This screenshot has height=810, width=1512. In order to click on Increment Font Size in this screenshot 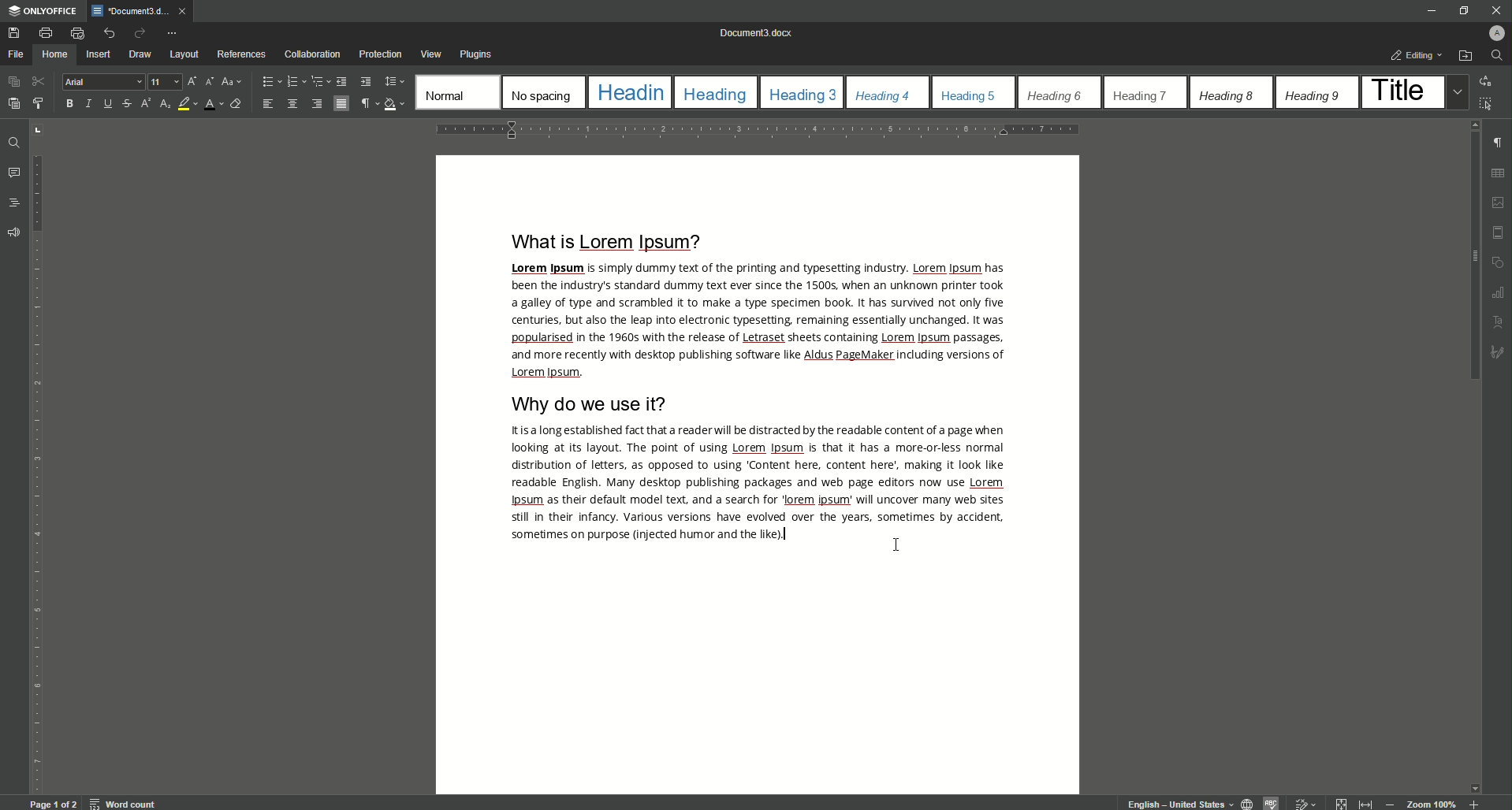, I will do `click(190, 82)`.